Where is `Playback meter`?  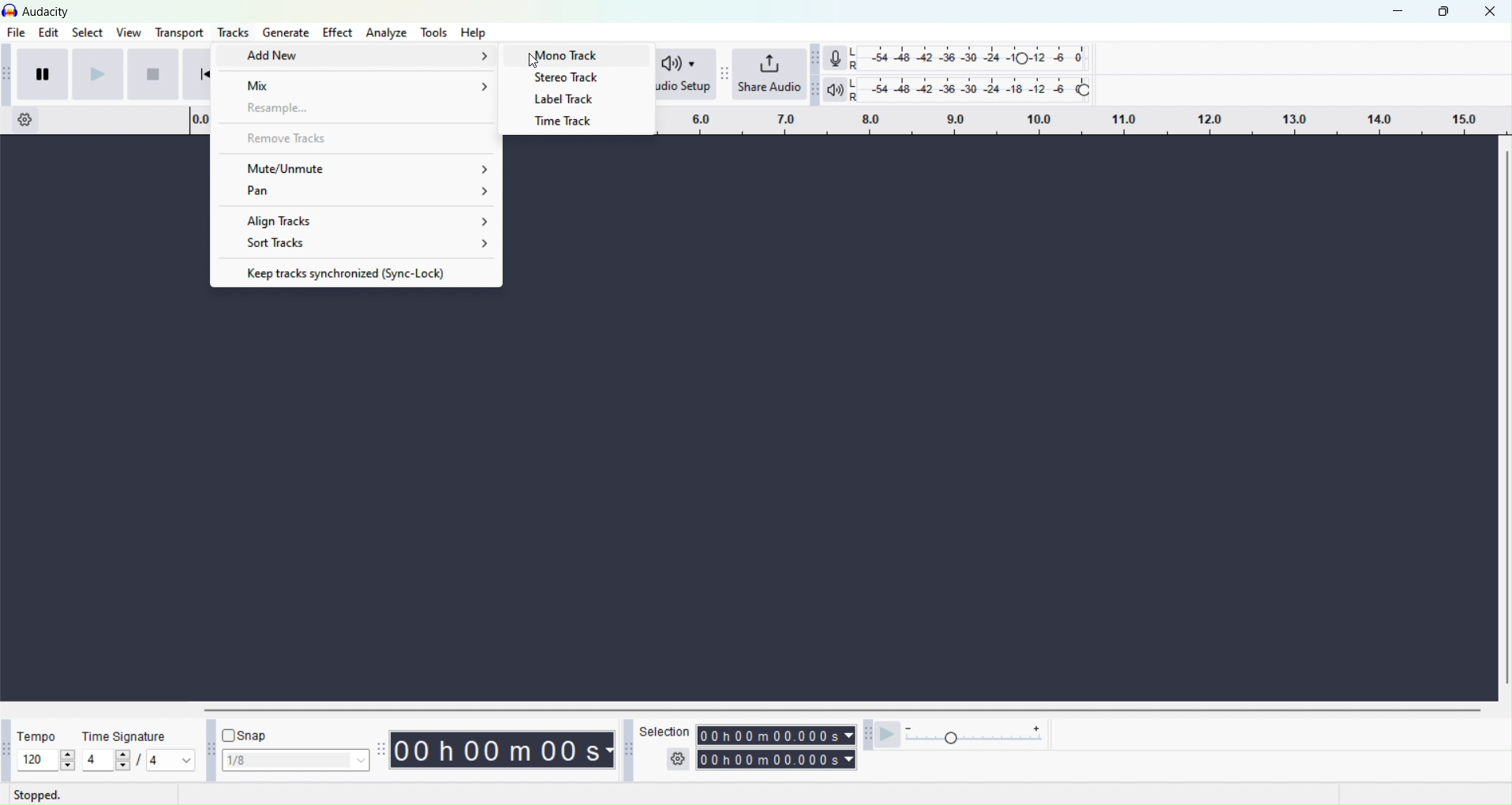
Playback meter is located at coordinates (836, 89).